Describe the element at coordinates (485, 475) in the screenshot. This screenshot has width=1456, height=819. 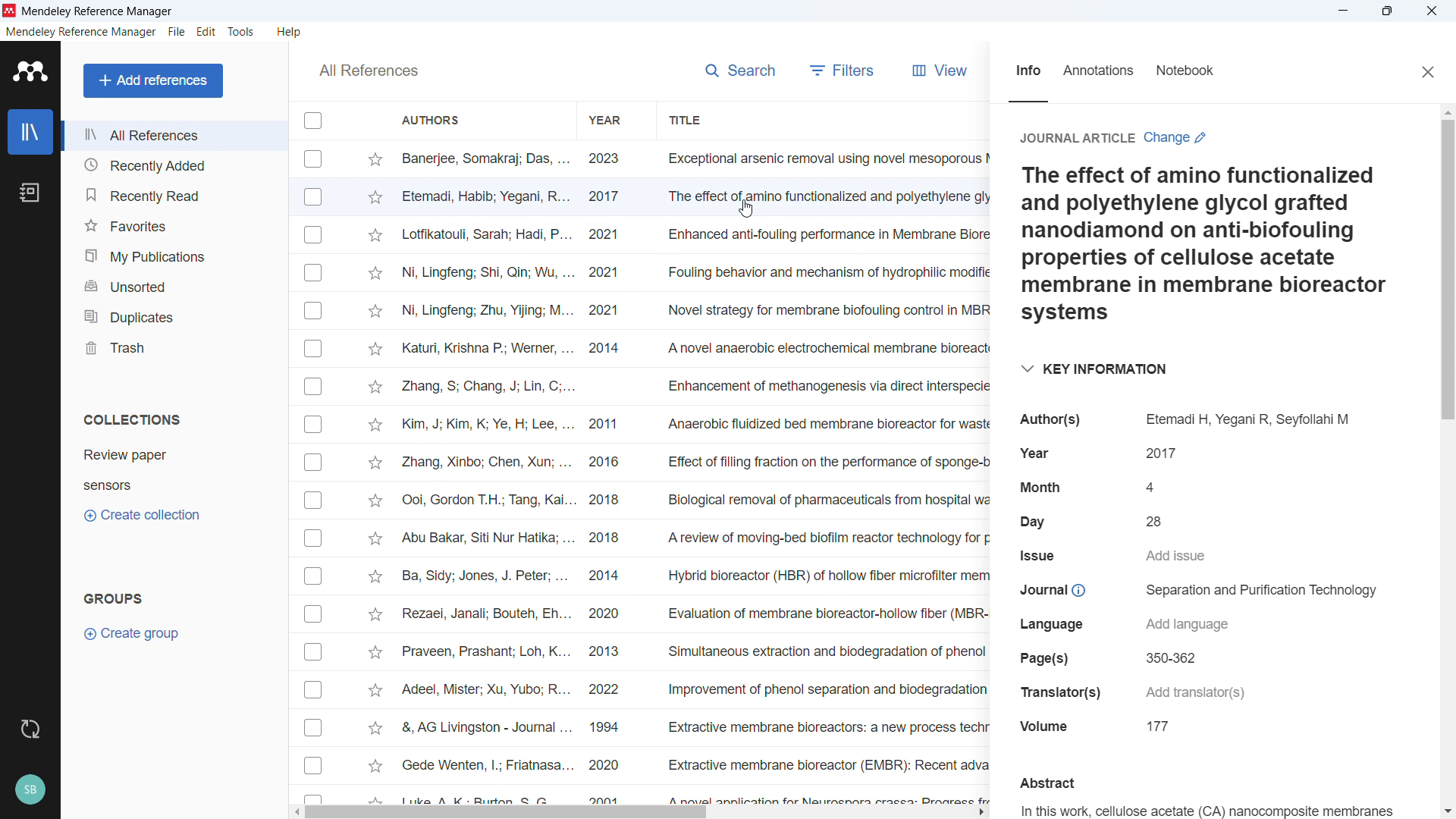
I see `Authors of individual entries ` at that location.